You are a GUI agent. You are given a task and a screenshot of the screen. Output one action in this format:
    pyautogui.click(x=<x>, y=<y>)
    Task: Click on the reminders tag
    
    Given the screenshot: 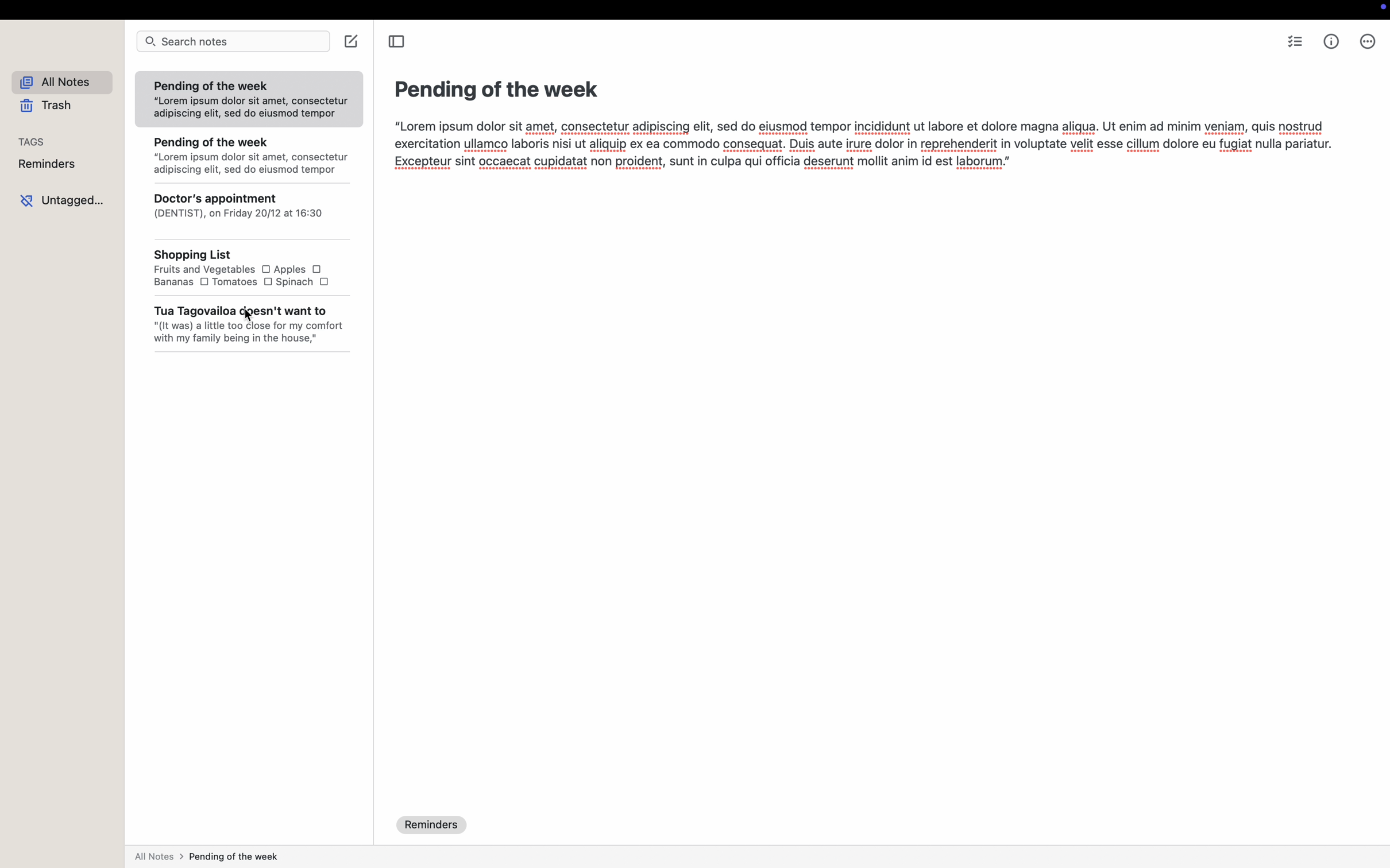 What is the action you would take?
    pyautogui.click(x=433, y=826)
    